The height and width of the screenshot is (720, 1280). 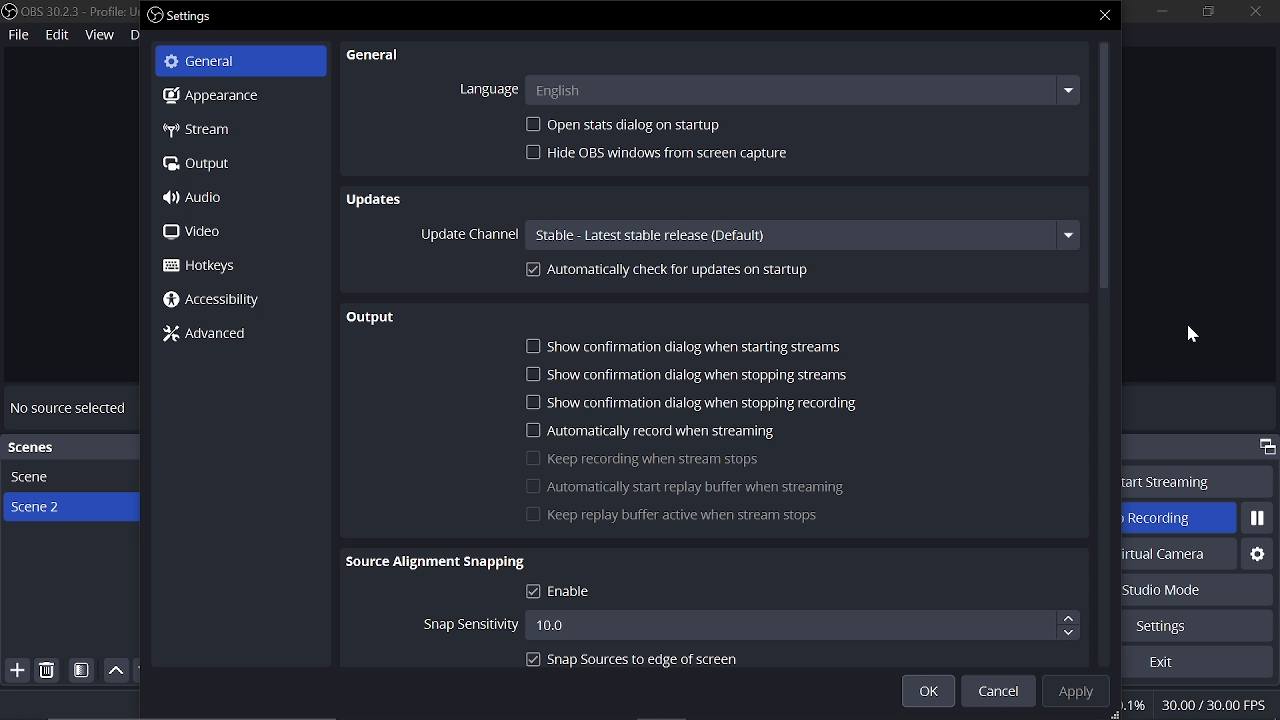 What do you see at coordinates (116, 671) in the screenshot?
I see `move scene up` at bounding box center [116, 671].